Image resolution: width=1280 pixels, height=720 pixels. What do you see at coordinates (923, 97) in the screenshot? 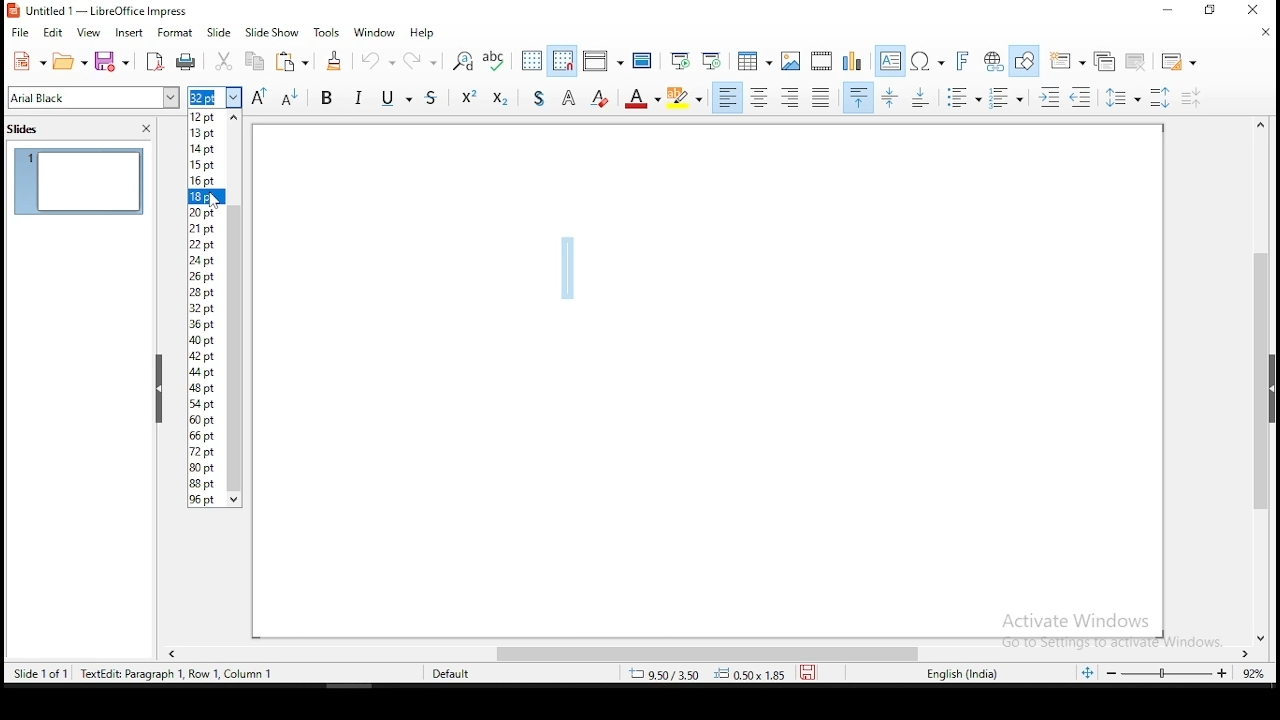
I see `Space above Paragraph` at bounding box center [923, 97].